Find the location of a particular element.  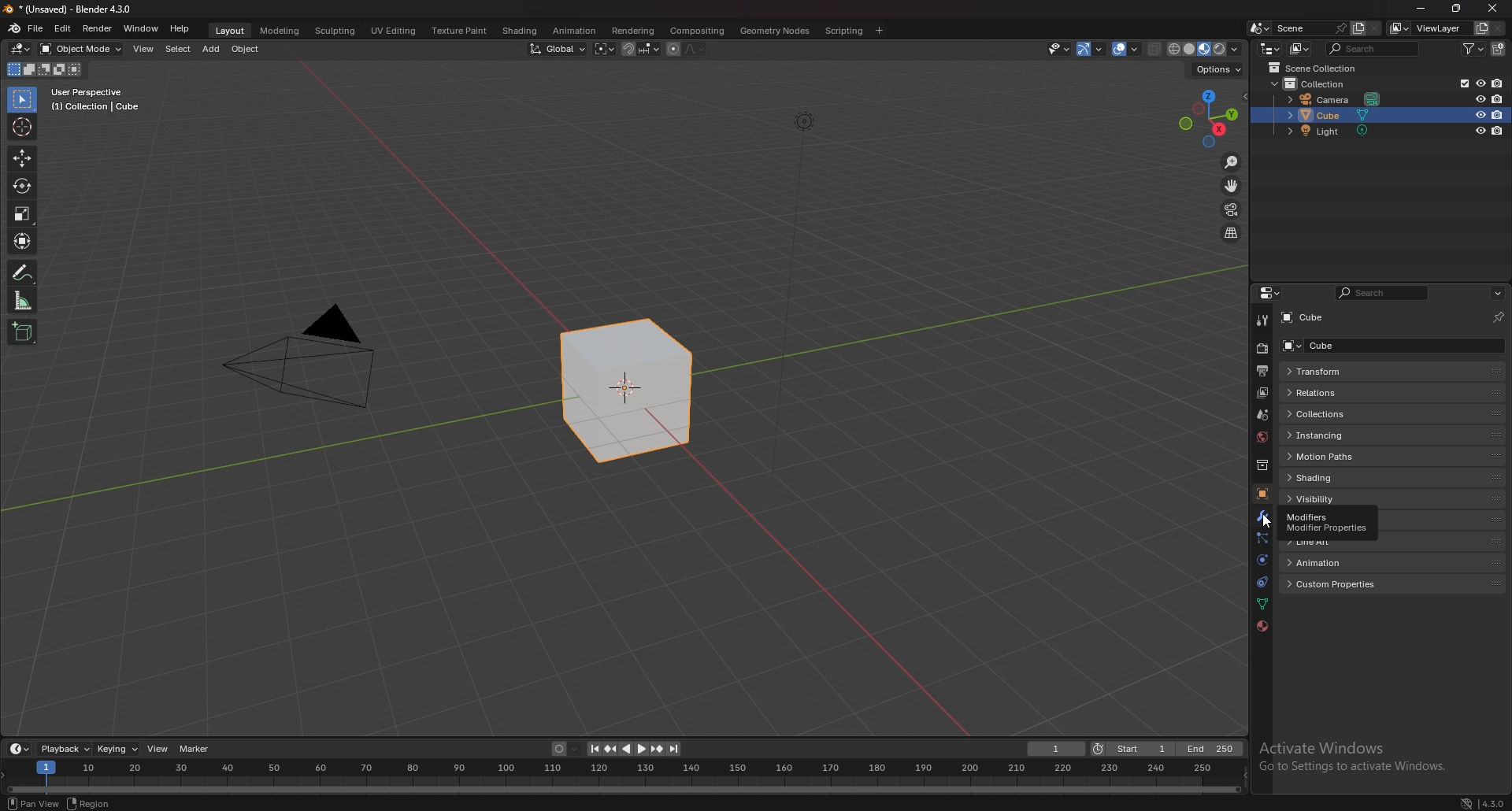

network is located at coordinates (1465, 802).